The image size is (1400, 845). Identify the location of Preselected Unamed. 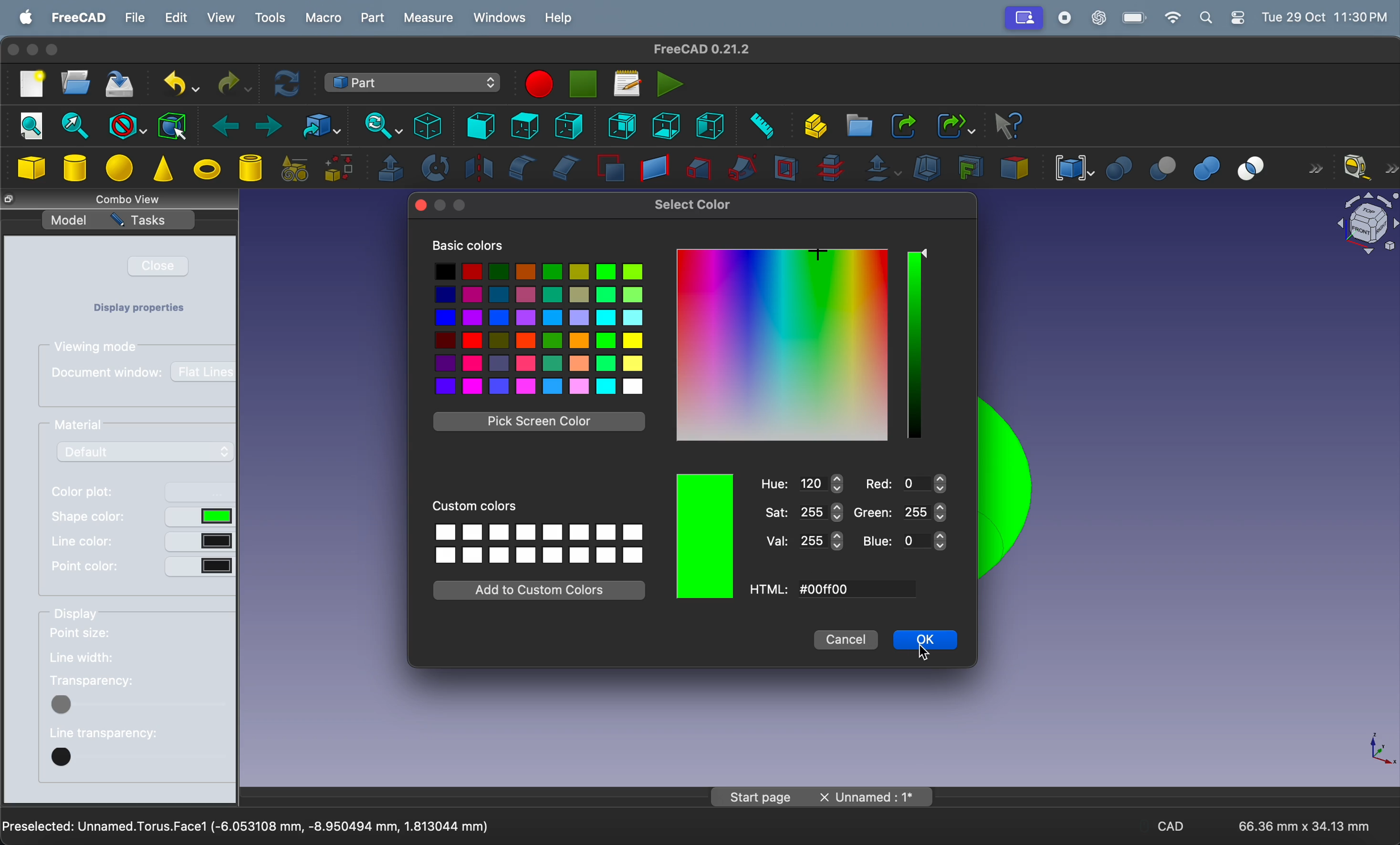
(248, 827).